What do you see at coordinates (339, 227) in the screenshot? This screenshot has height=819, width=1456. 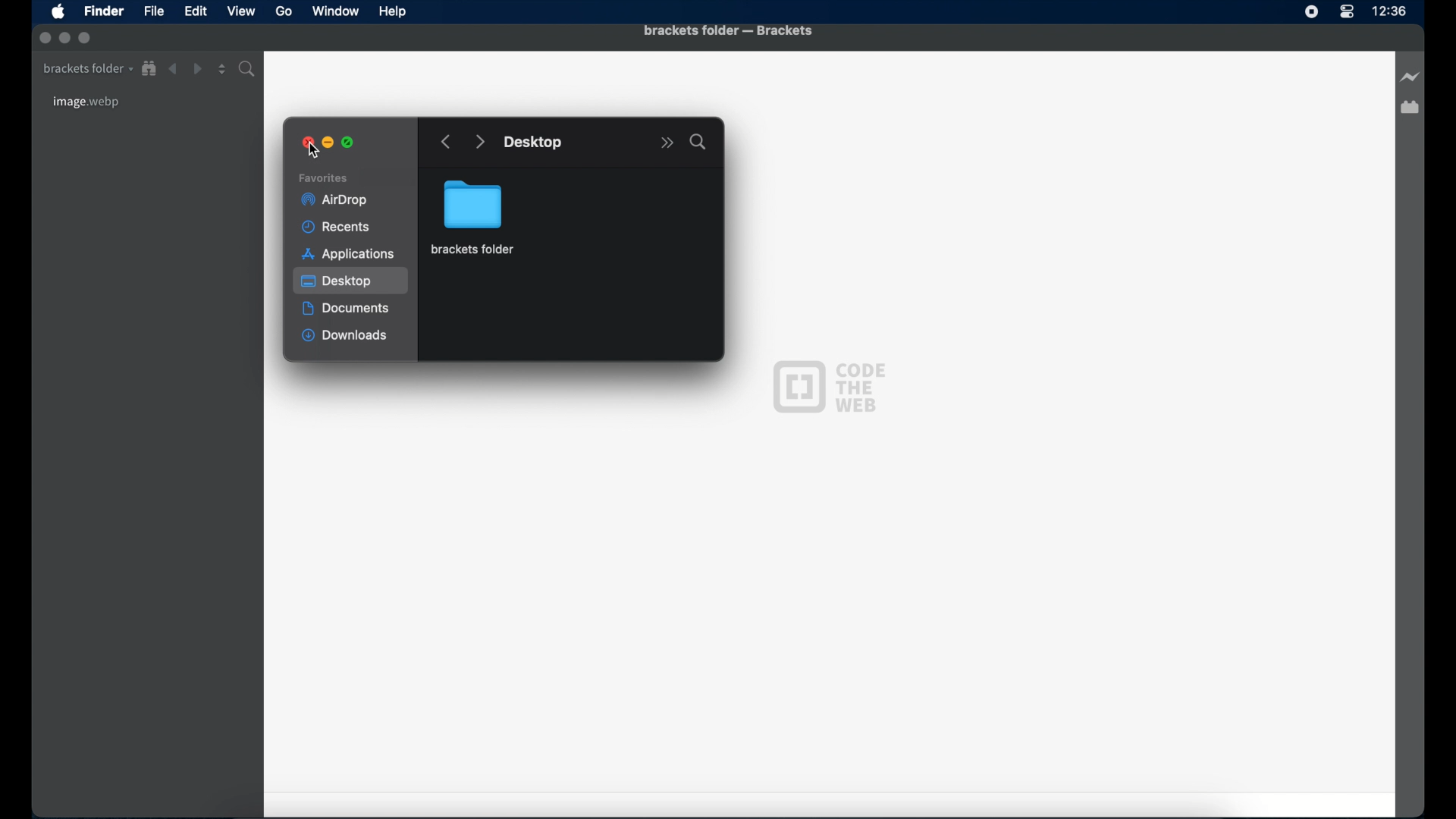 I see `recents` at bounding box center [339, 227].